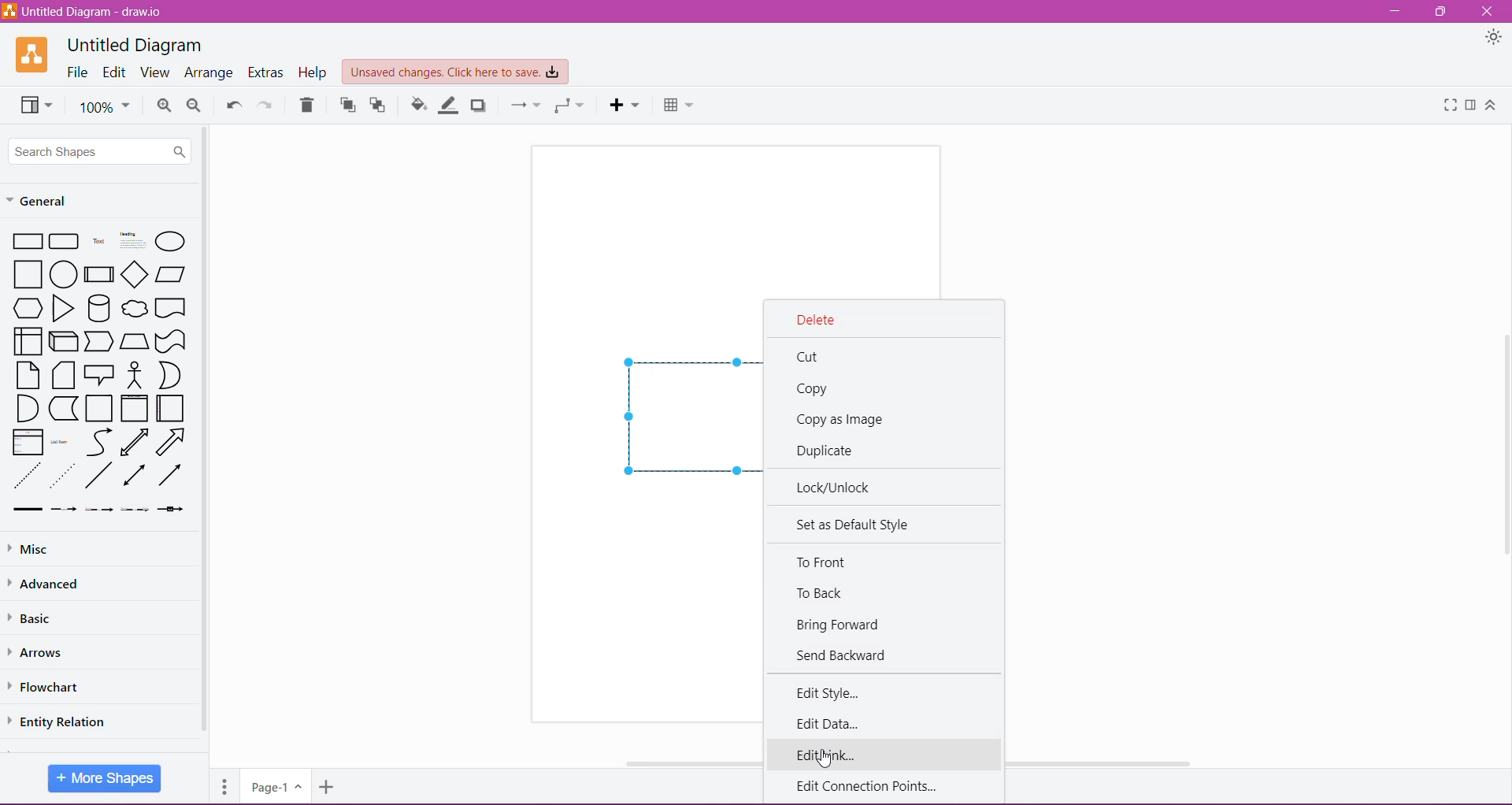  Describe the element at coordinates (813, 390) in the screenshot. I see `Copy` at that location.